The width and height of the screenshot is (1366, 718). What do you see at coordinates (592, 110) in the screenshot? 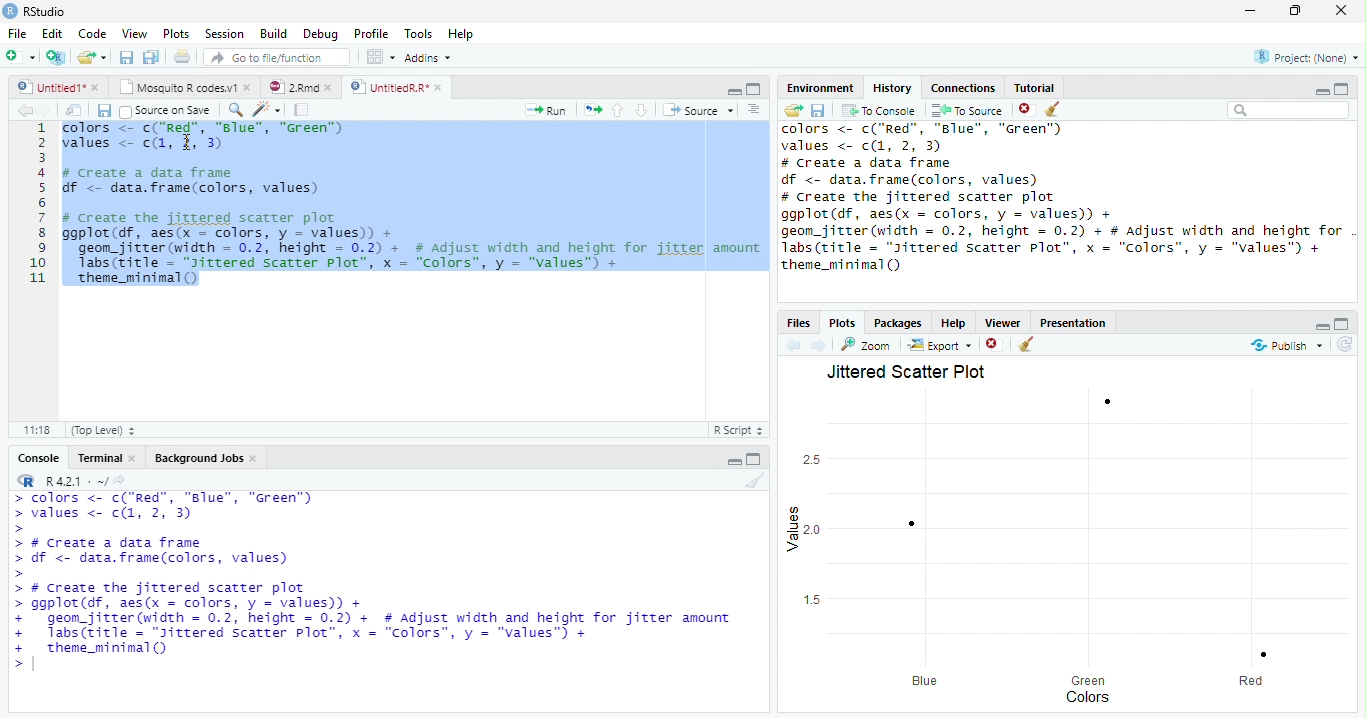
I see `Re-run the previous code region` at bounding box center [592, 110].